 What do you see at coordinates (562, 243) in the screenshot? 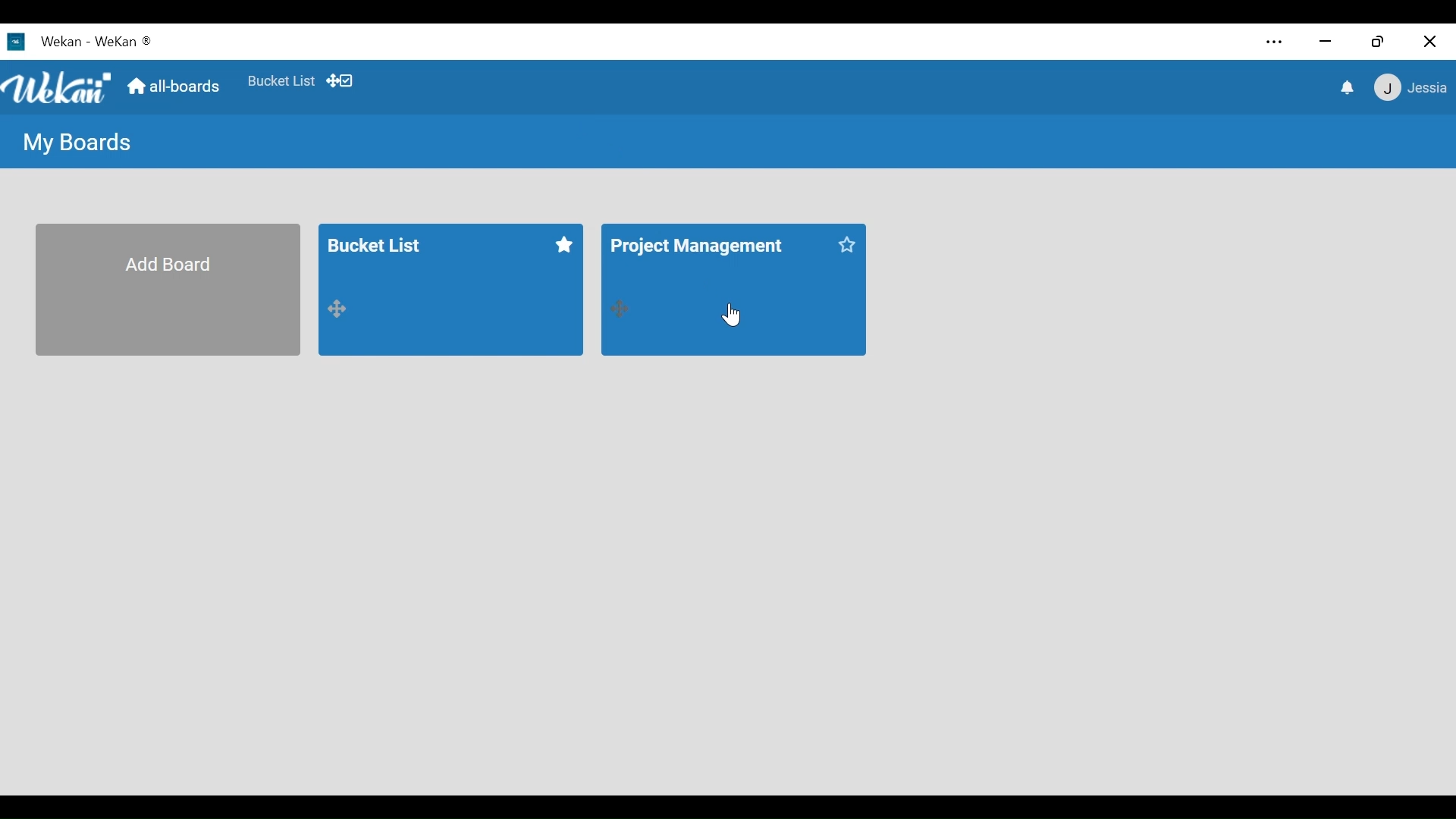
I see `click to start this board` at bounding box center [562, 243].